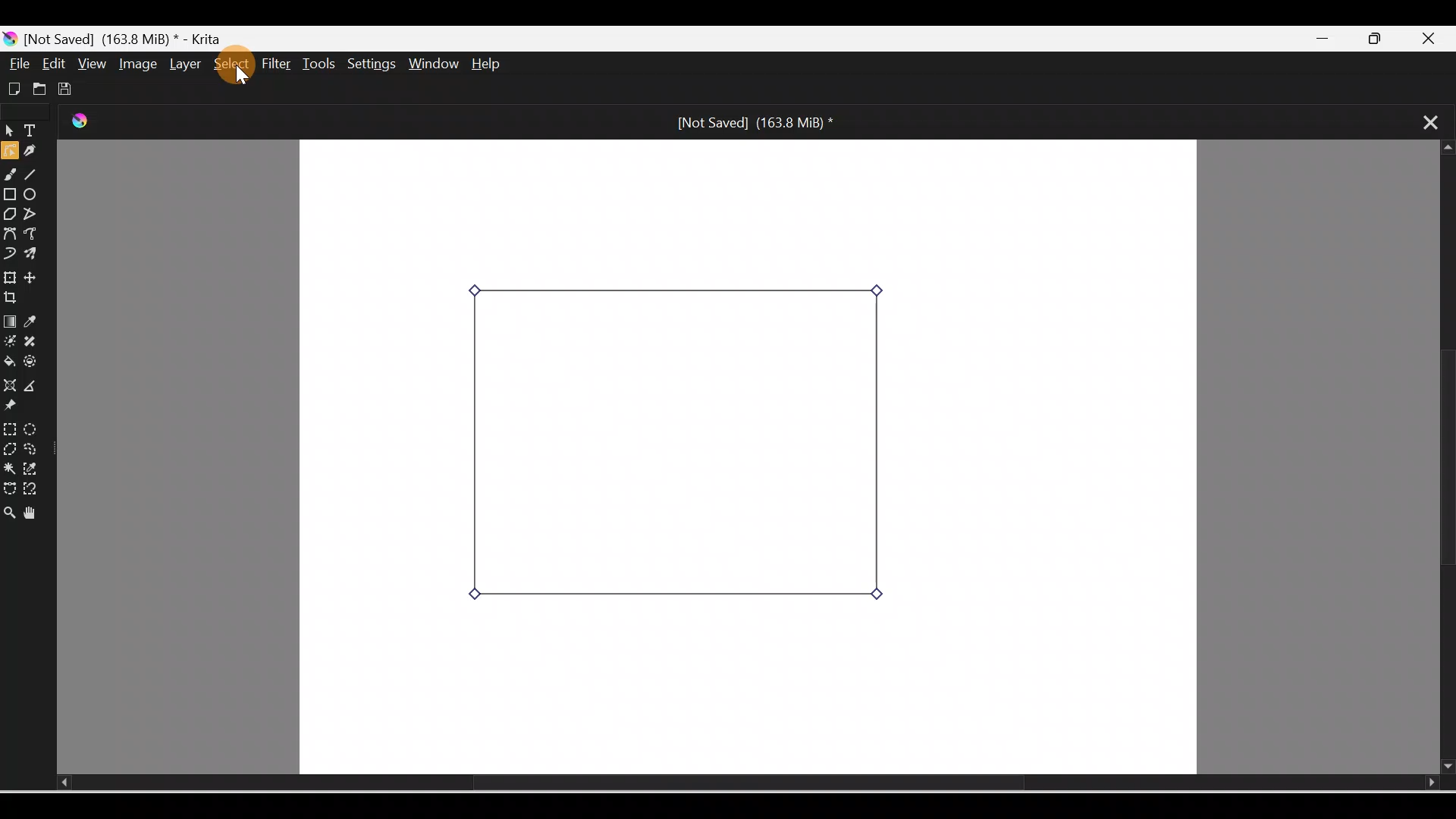 The width and height of the screenshot is (1456, 819). Describe the element at coordinates (9, 252) in the screenshot. I see `Dynamic brush tool` at that location.